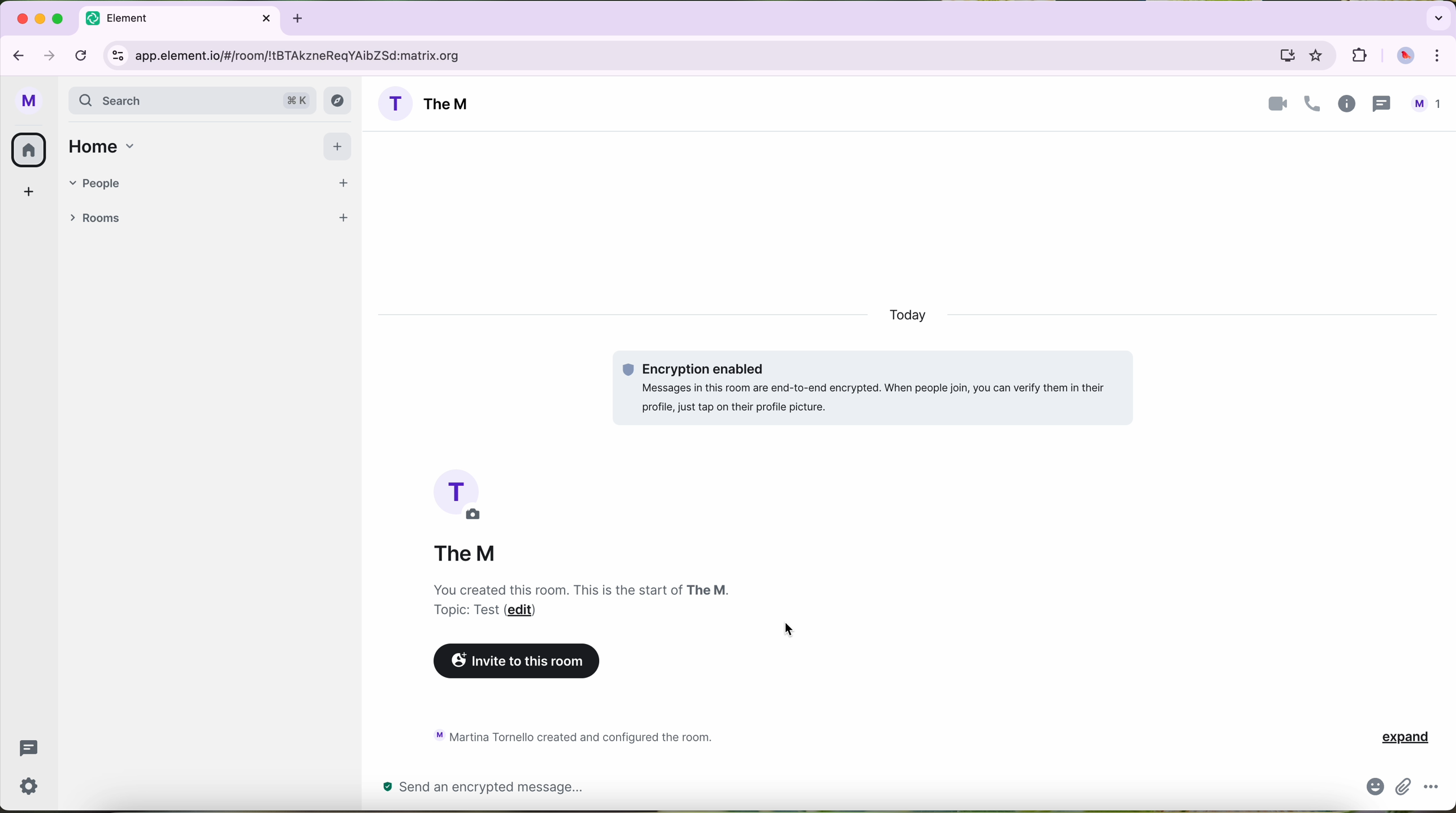 The height and width of the screenshot is (813, 1456). I want to click on controls, so click(118, 57).